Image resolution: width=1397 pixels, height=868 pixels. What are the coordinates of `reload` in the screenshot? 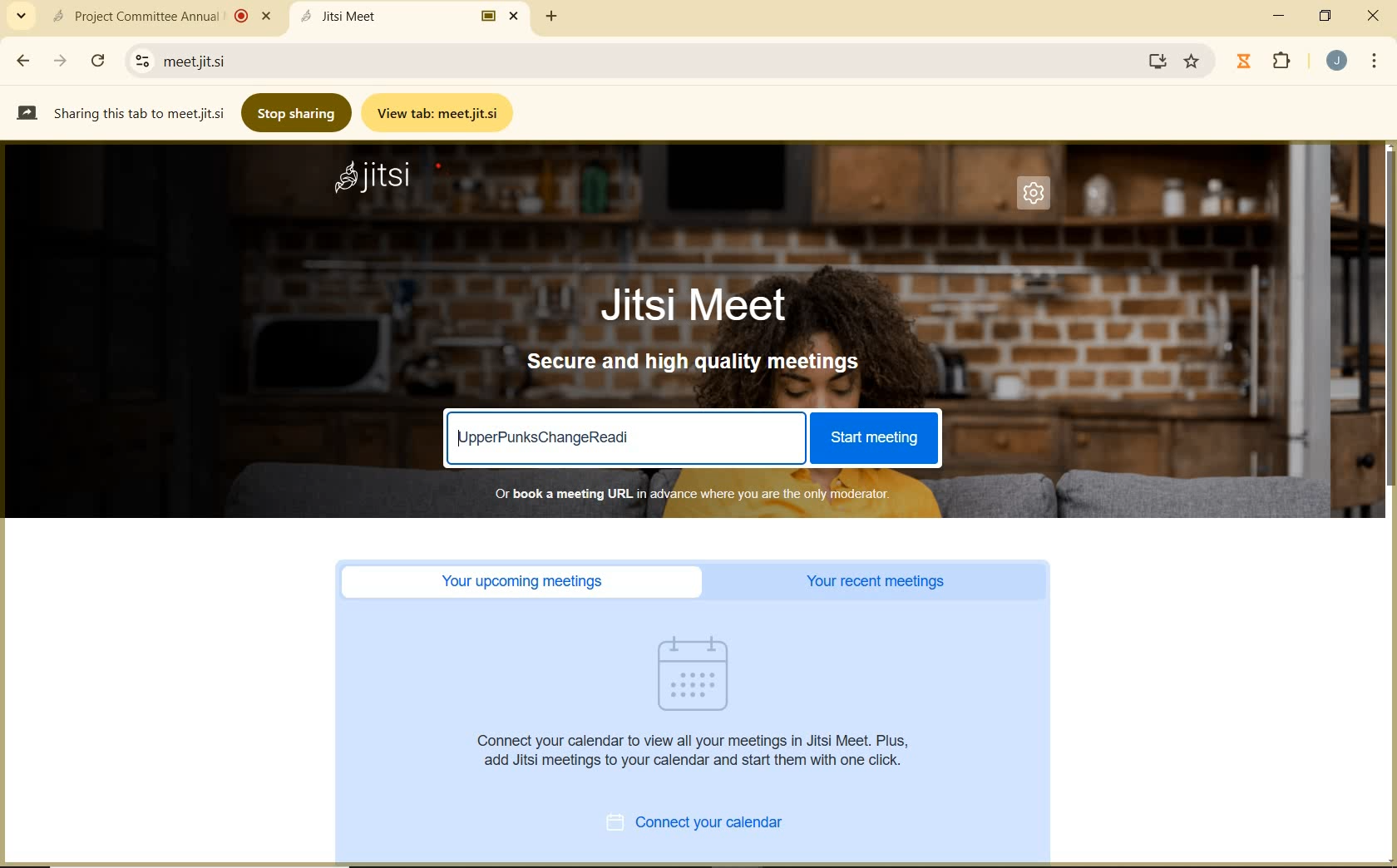 It's located at (97, 58).